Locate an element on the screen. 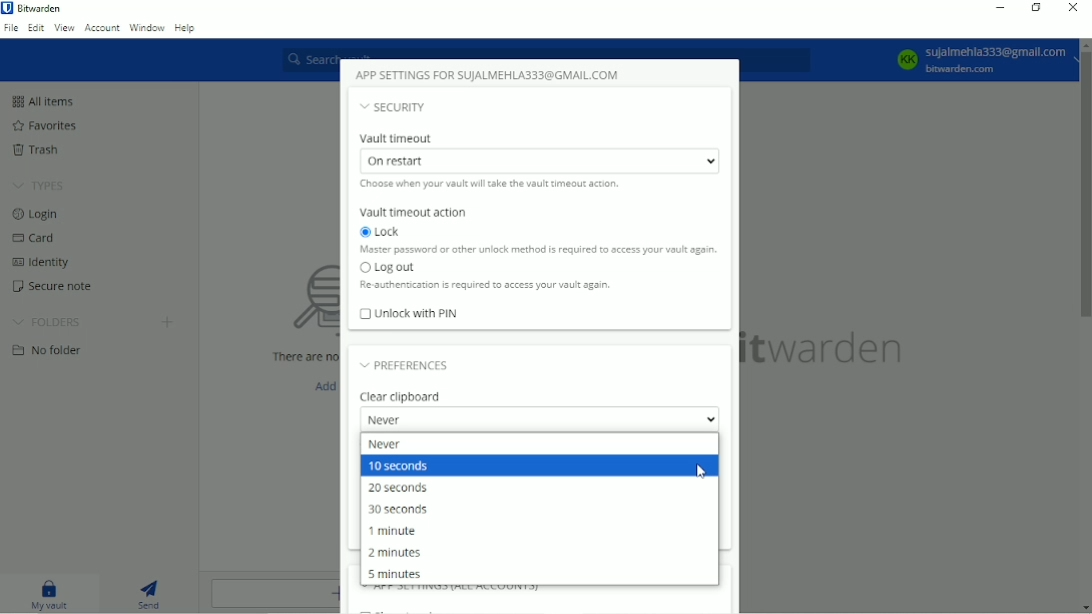 Image resolution: width=1092 pixels, height=614 pixels. Minimize is located at coordinates (1001, 8).